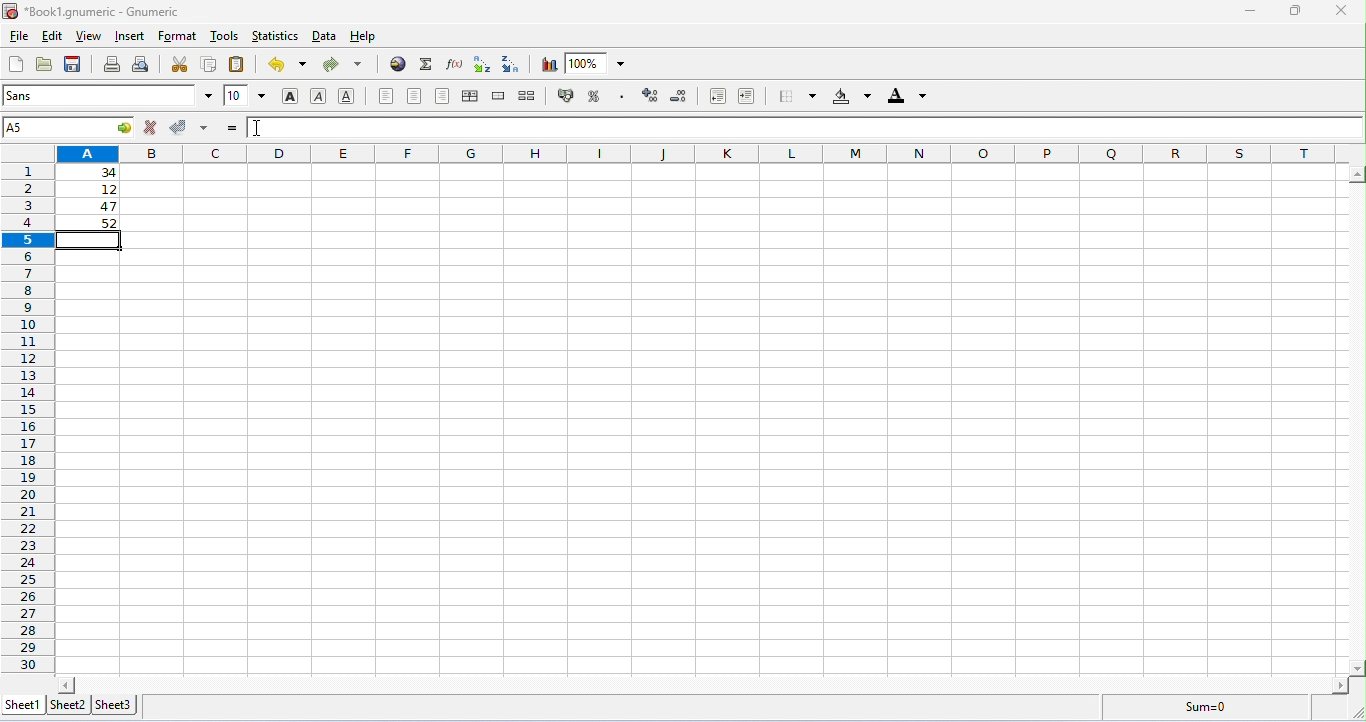  I want to click on formula, so click(1206, 706).